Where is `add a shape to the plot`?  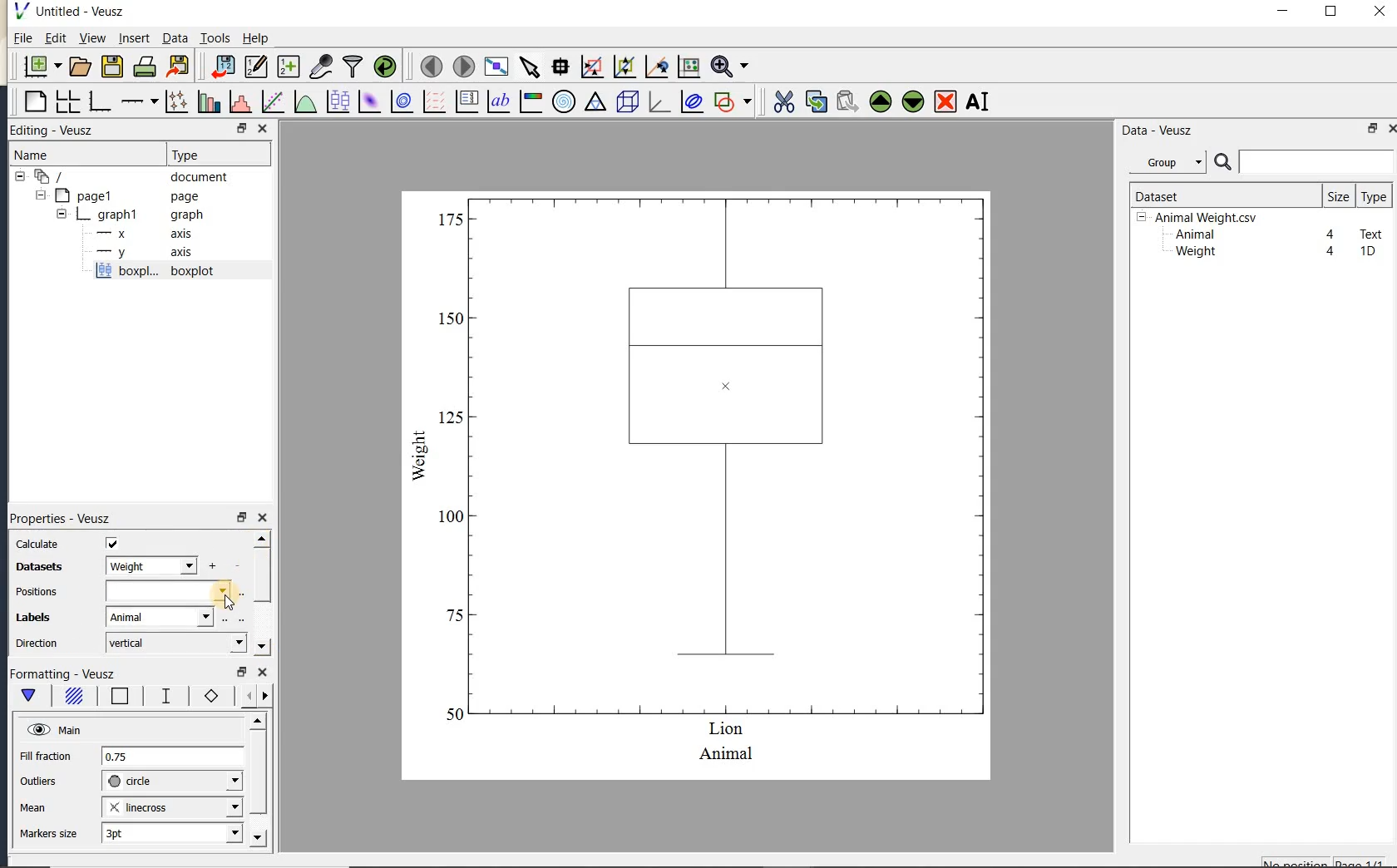 add a shape to the plot is located at coordinates (732, 101).